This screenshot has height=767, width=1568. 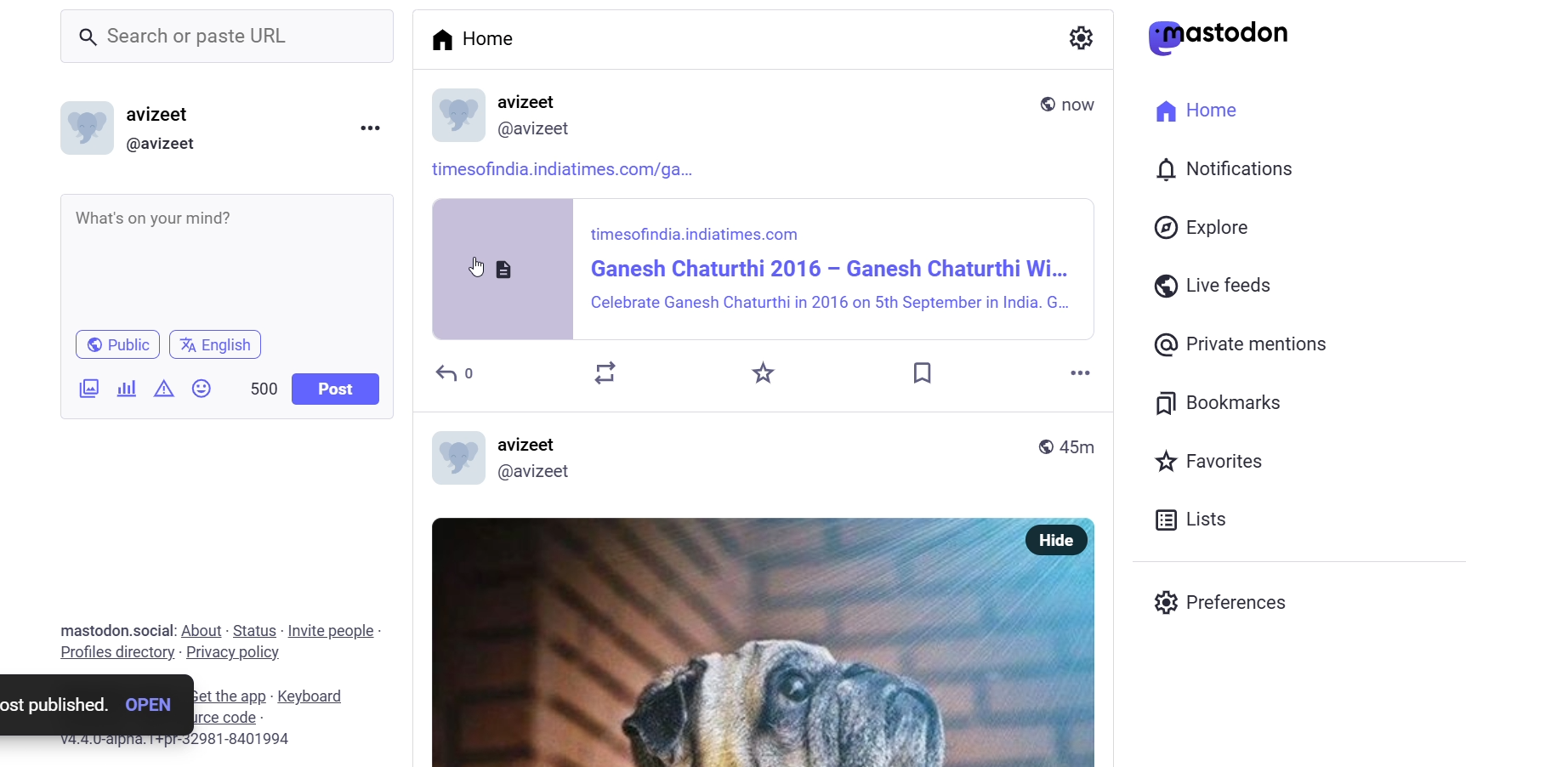 What do you see at coordinates (90, 386) in the screenshot?
I see `image/video` at bounding box center [90, 386].